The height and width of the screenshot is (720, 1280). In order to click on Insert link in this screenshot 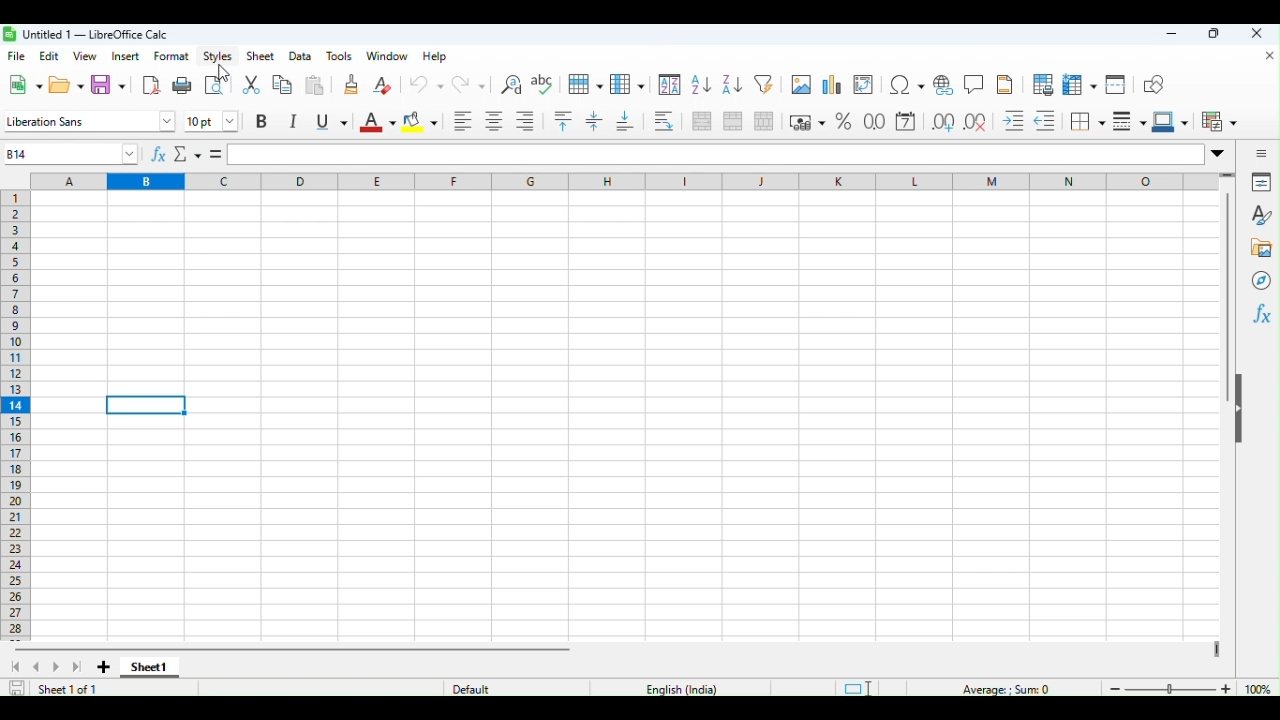, I will do `click(941, 85)`.